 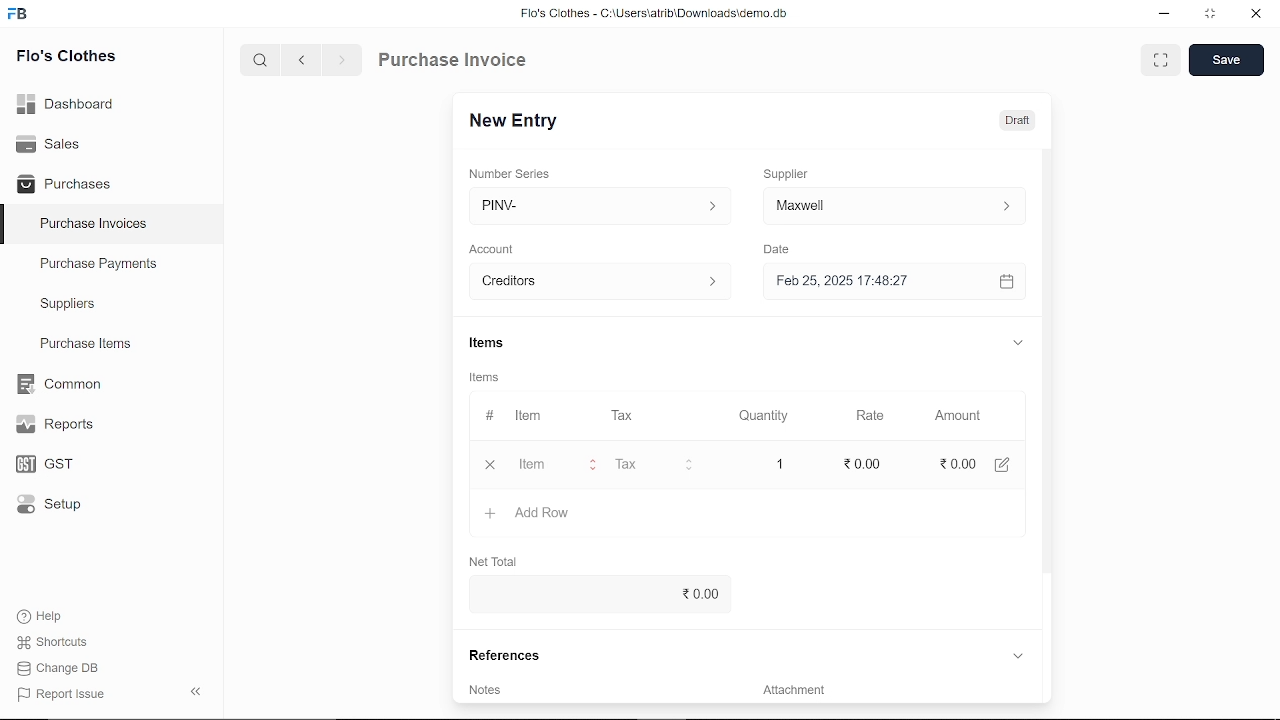 I want to click on input ‘Supplier, so click(x=894, y=204).